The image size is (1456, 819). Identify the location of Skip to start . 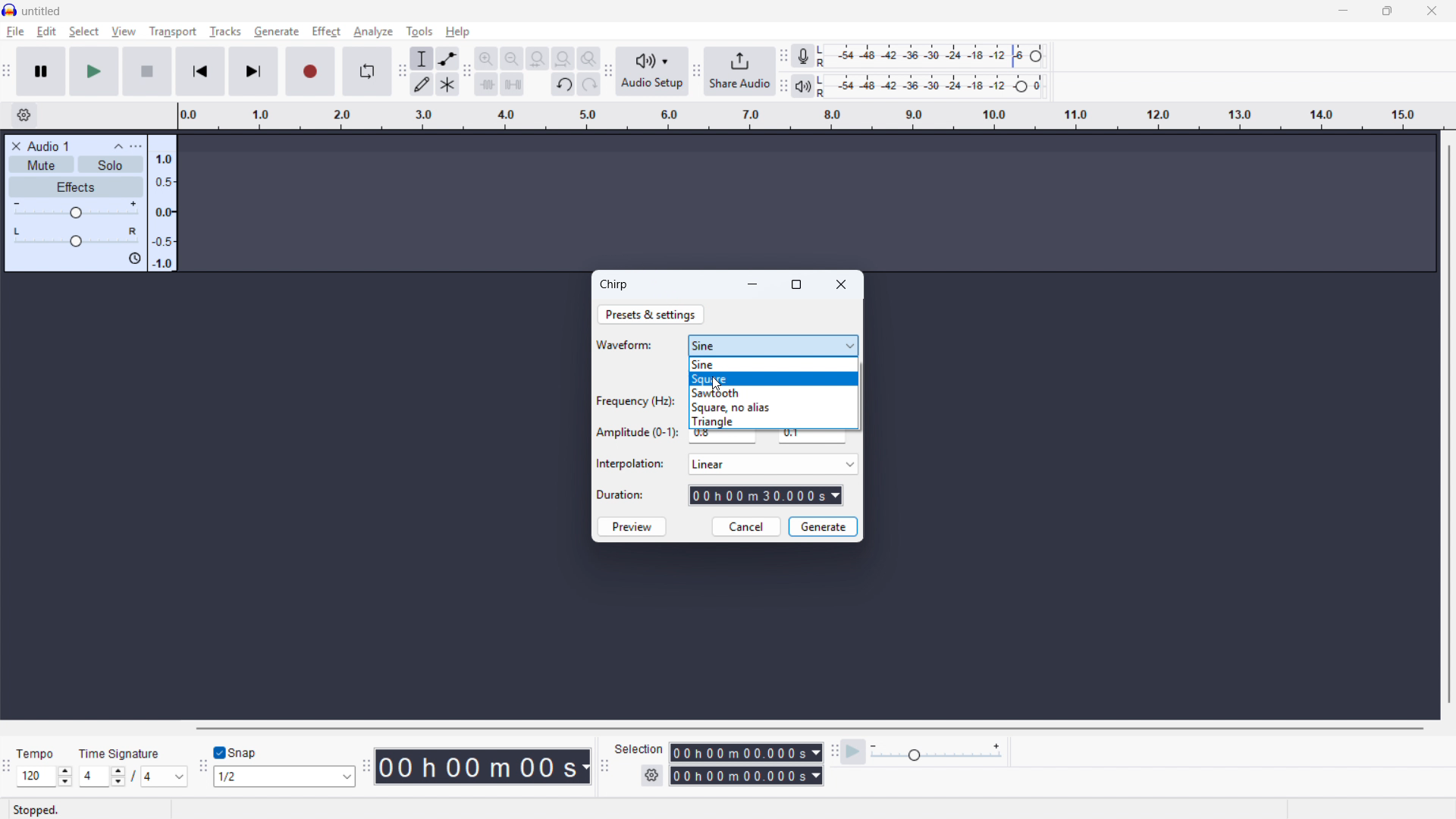
(200, 71).